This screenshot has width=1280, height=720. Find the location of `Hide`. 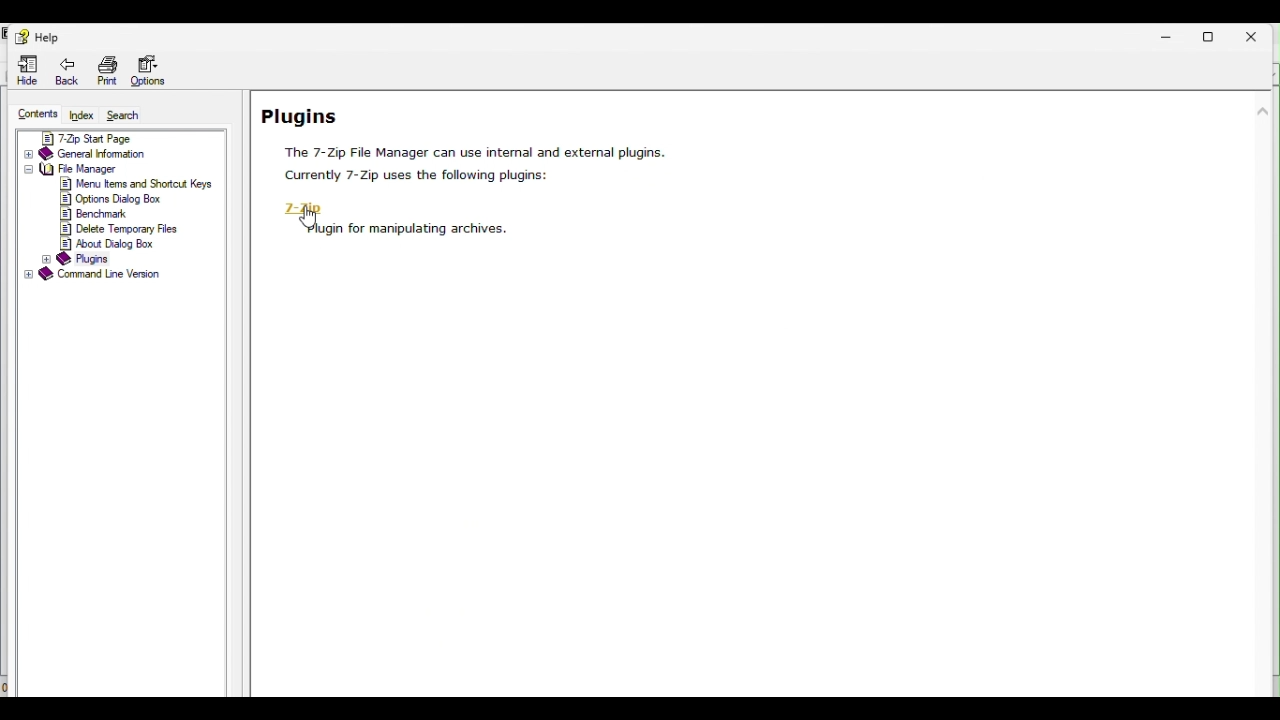

Hide is located at coordinates (27, 69).